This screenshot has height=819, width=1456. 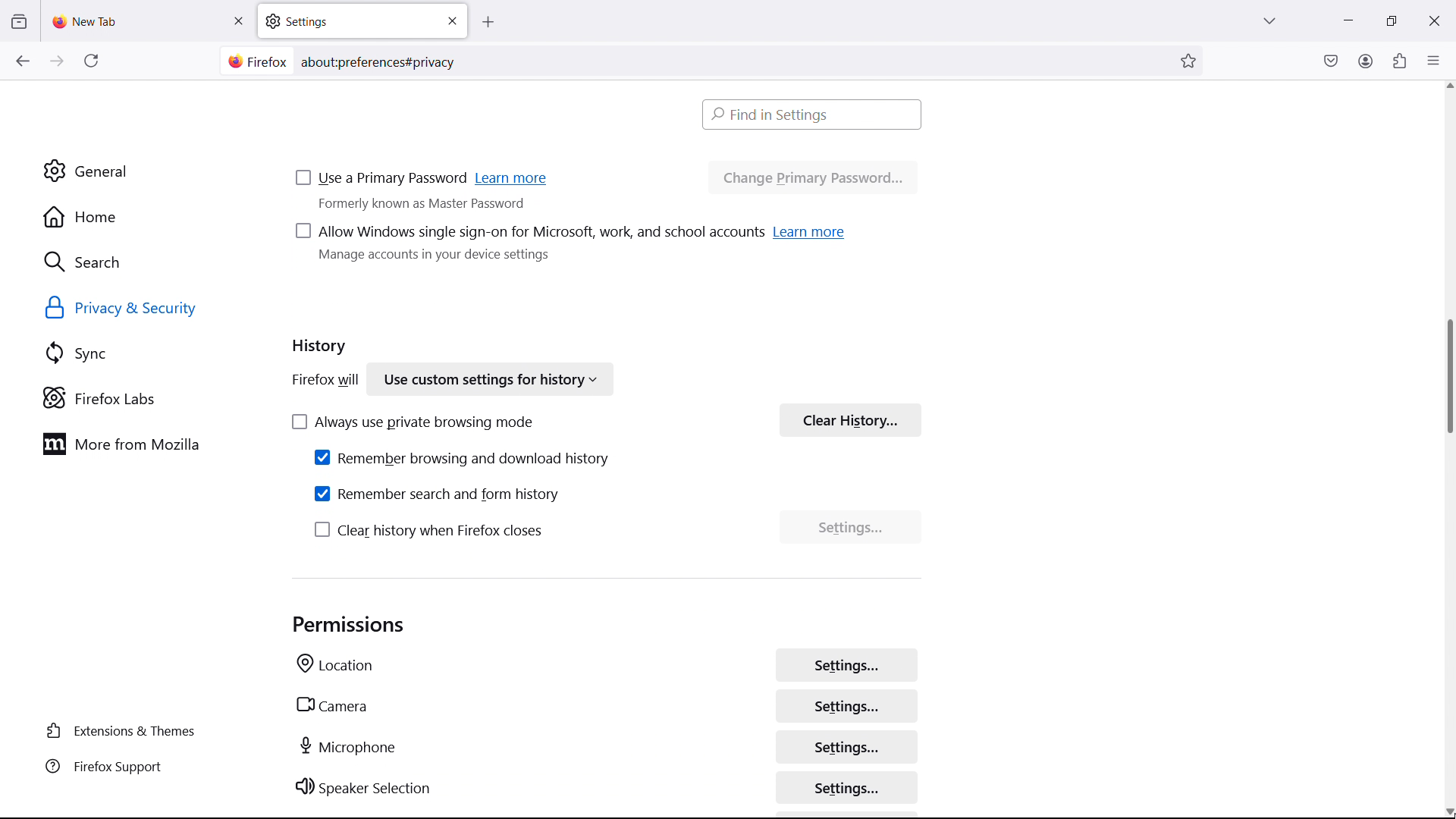 I want to click on site information, so click(x=255, y=61).